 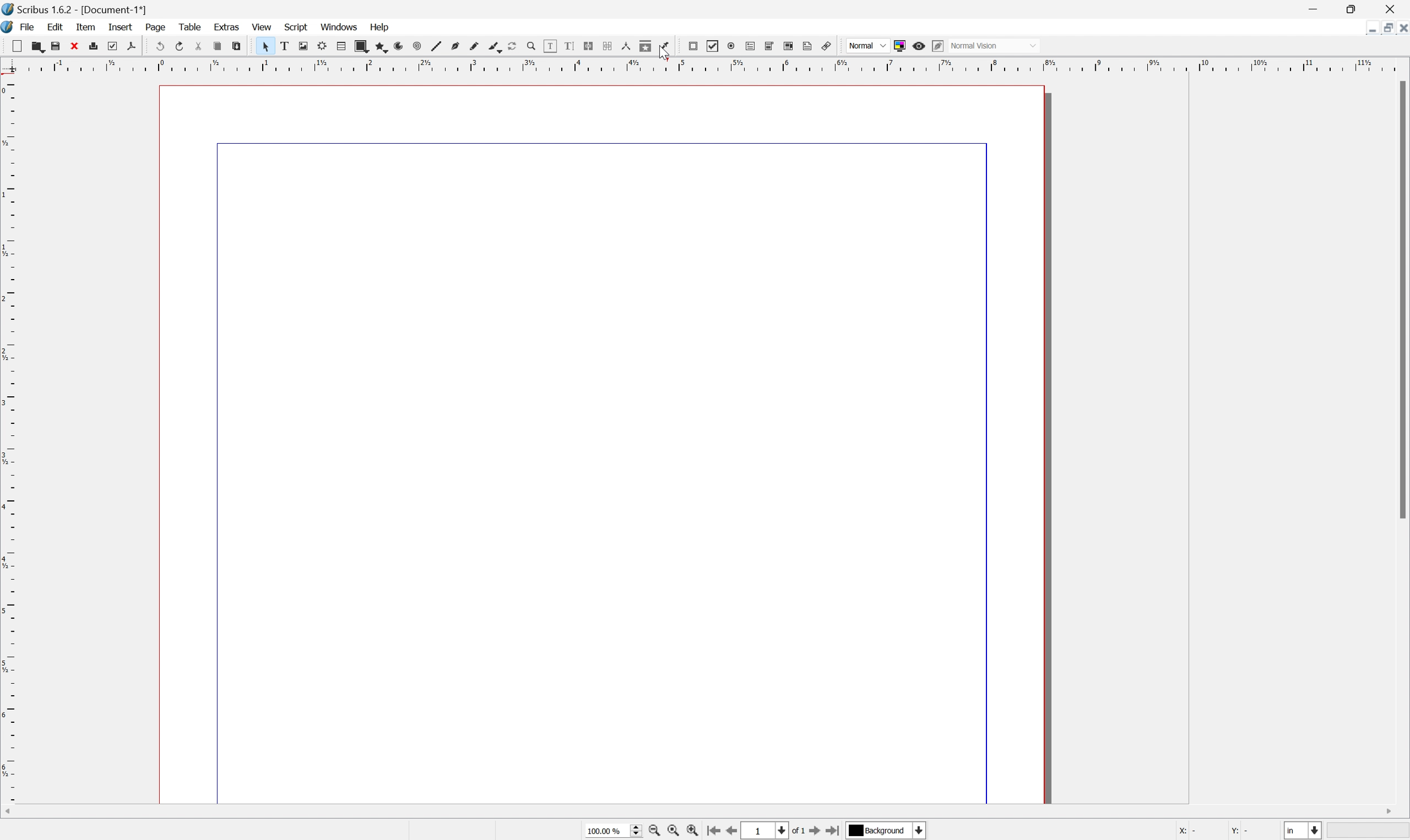 What do you see at coordinates (1370, 32) in the screenshot?
I see `Minimize` at bounding box center [1370, 32].